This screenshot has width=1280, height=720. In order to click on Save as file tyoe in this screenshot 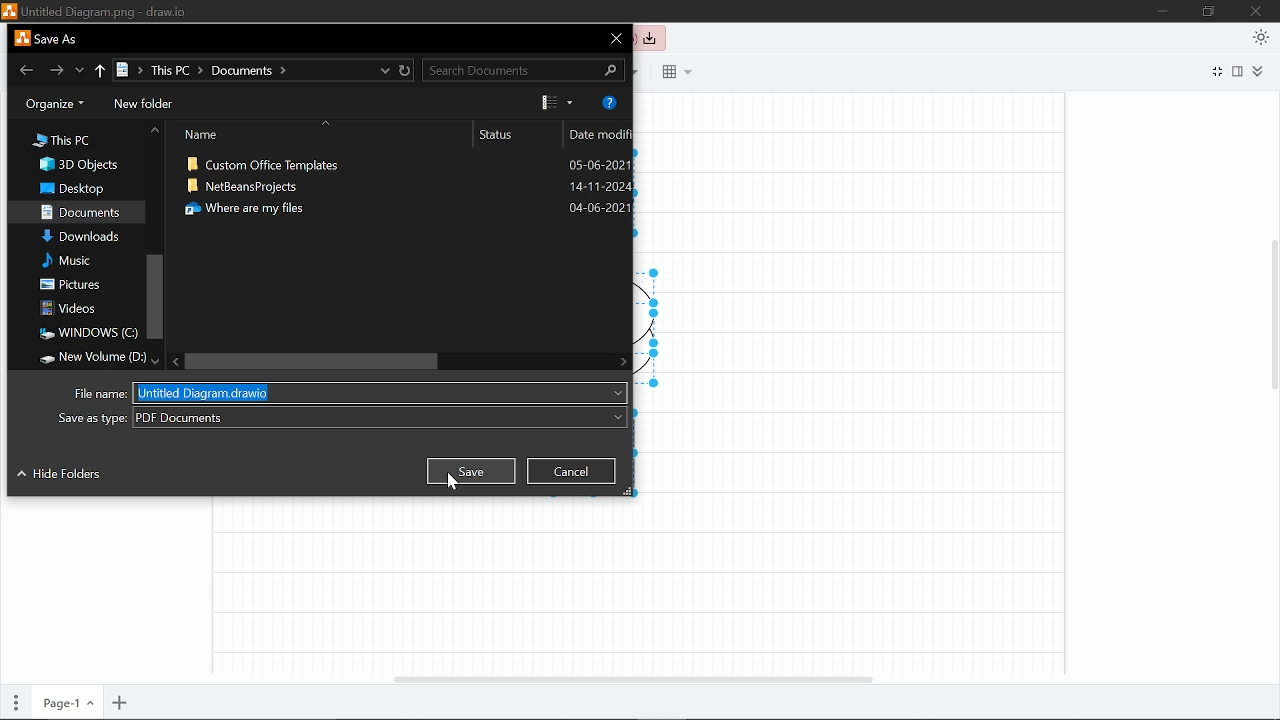, I will do `click(341, 417)`.